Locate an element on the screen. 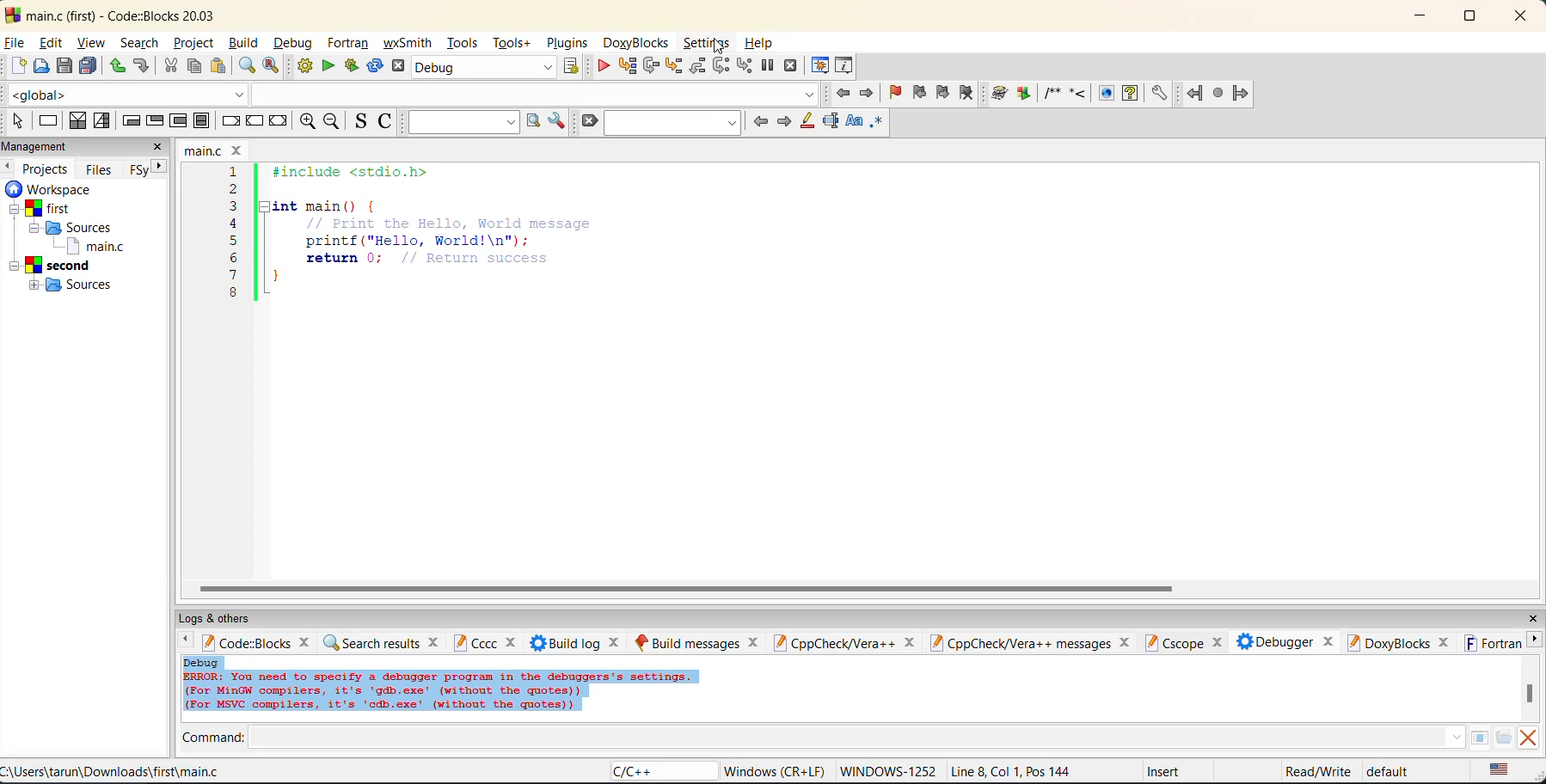 This screenshot has width=1546, height=784. files is located at coordinates (101, 168).